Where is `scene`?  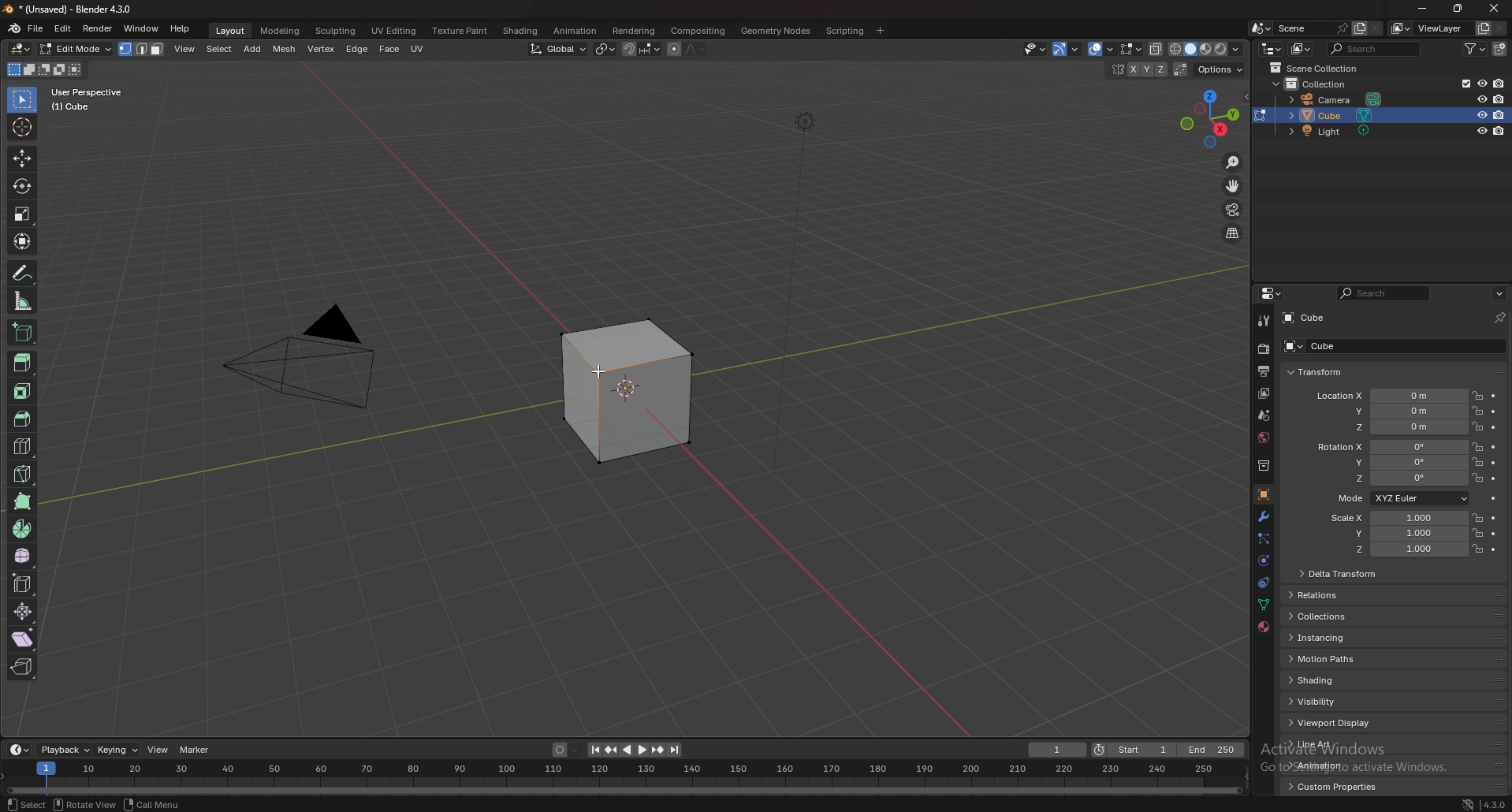 scene is located at coordinates (1313, 28).